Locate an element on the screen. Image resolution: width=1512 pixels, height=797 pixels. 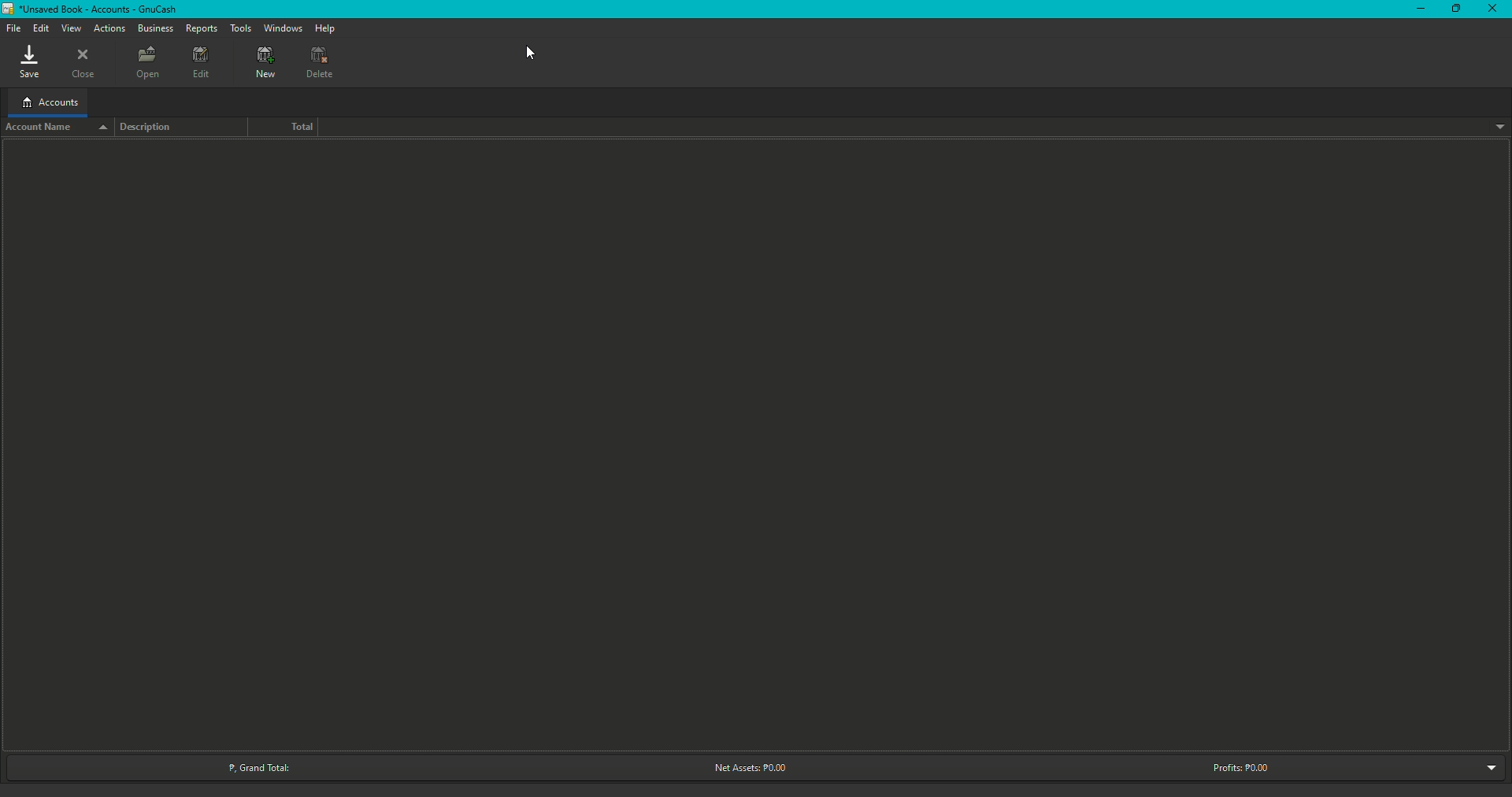
Description is located at coordinates (147, 126).